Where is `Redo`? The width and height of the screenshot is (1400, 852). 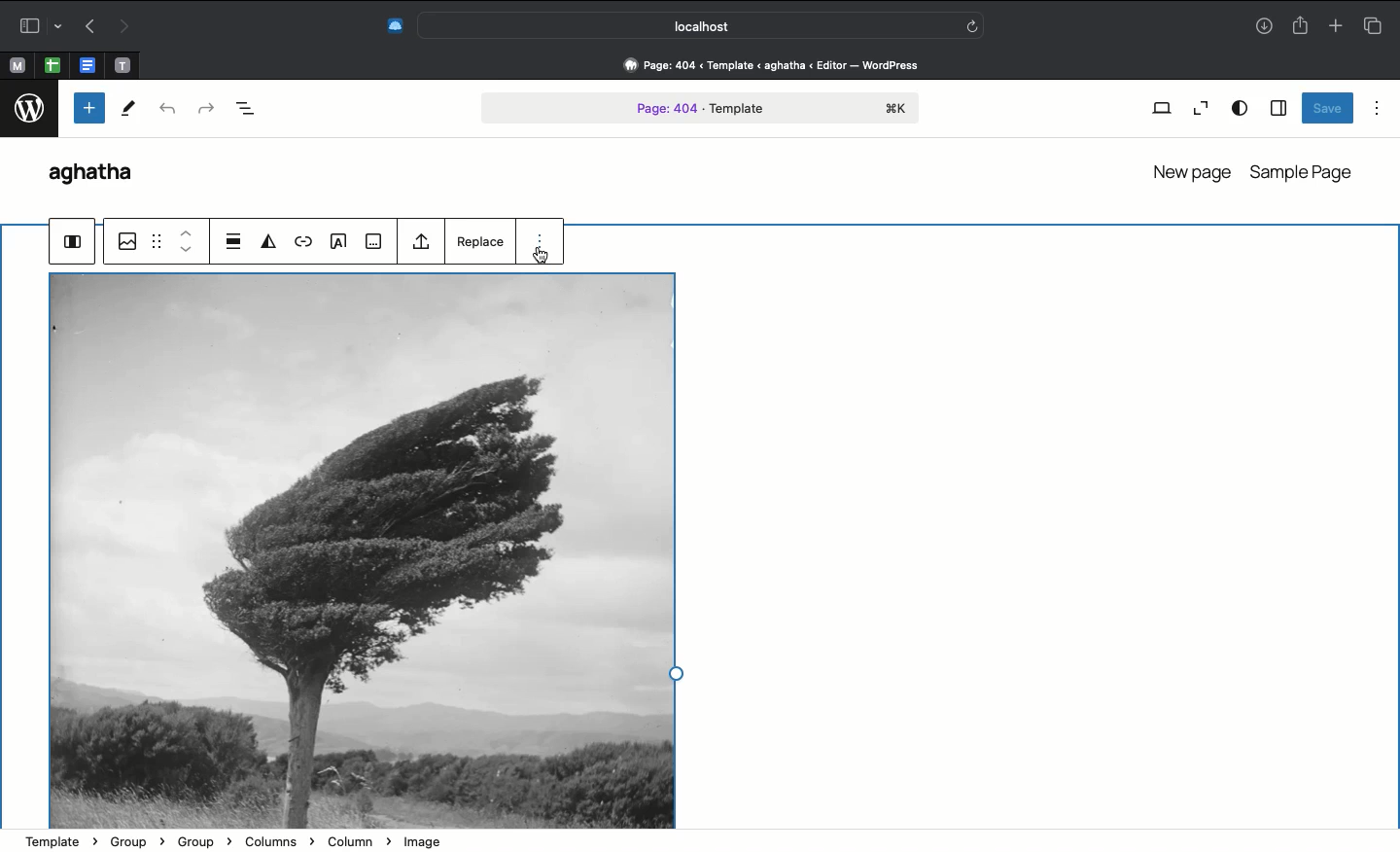
Redo is located at coordinates (122, 27).